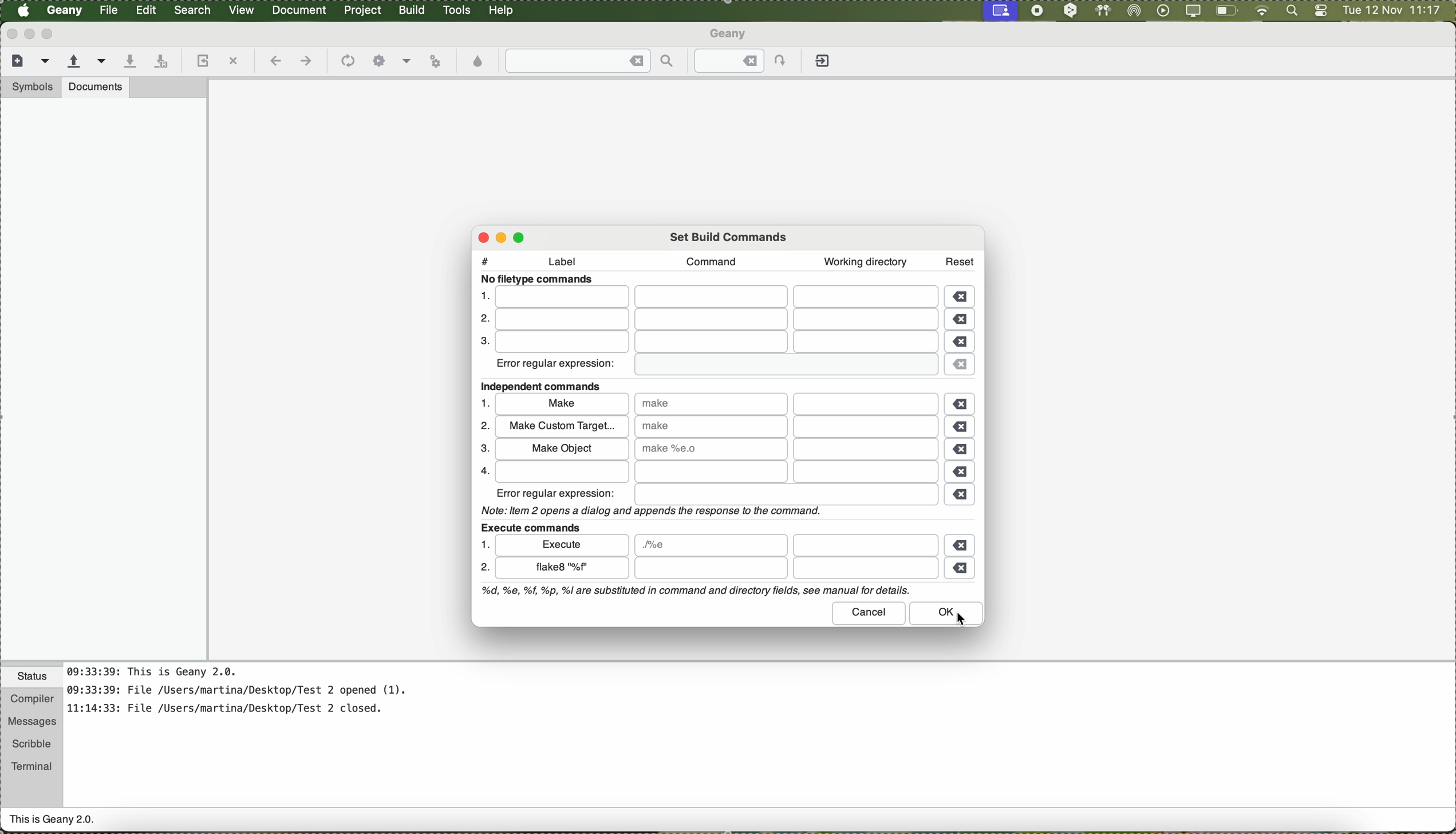  What do you see at coordinates (479, 237) in the screenshot?
I see `close pop-up` at bounding box center [479, 237].